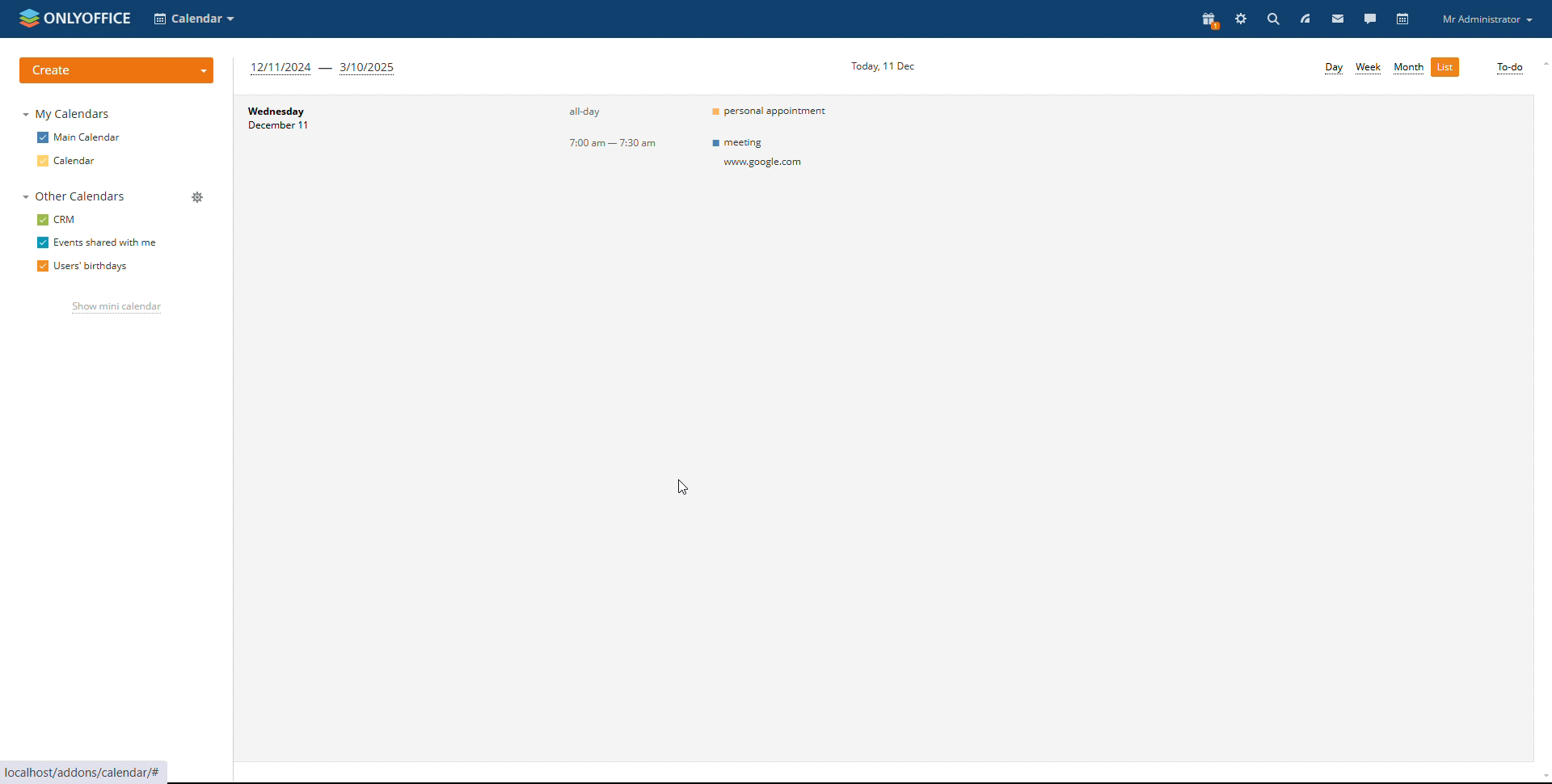  Describe the element at coordinates (200, 198) in the screenshot. I see `manage` at that location.